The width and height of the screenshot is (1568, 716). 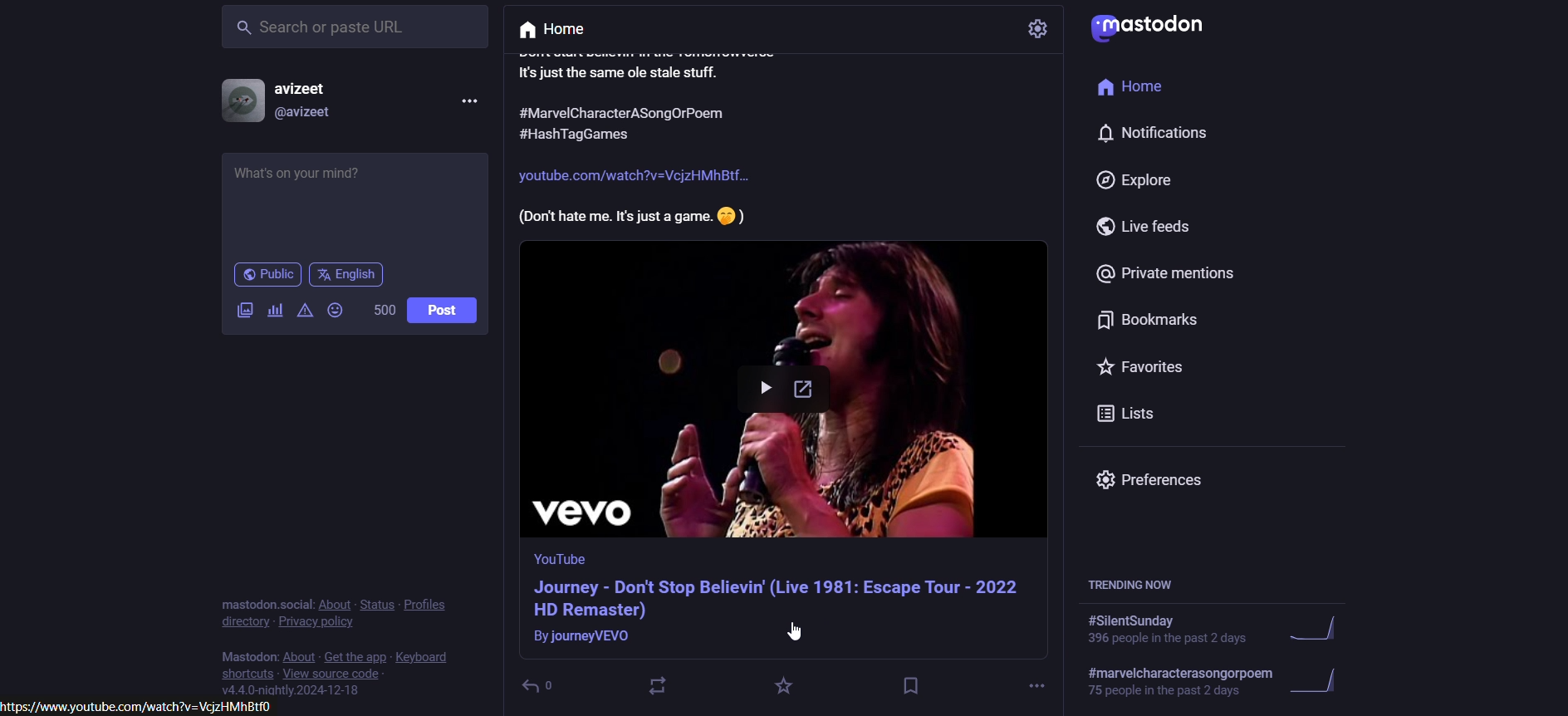 I want to click on trending hashtags, so click(x=1135, y=587).